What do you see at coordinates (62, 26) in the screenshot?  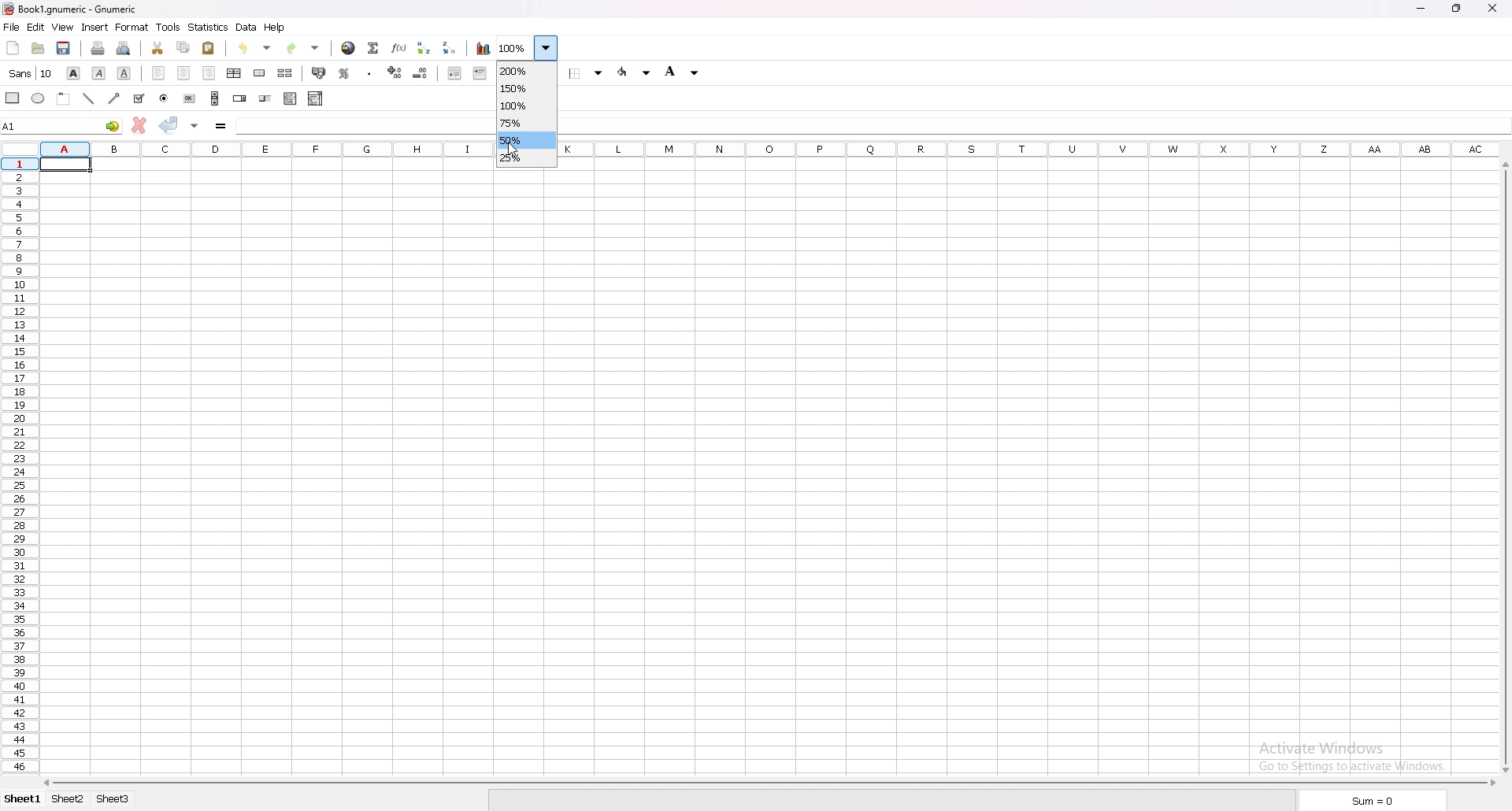 I see `view` at bounding box center [62, 26].